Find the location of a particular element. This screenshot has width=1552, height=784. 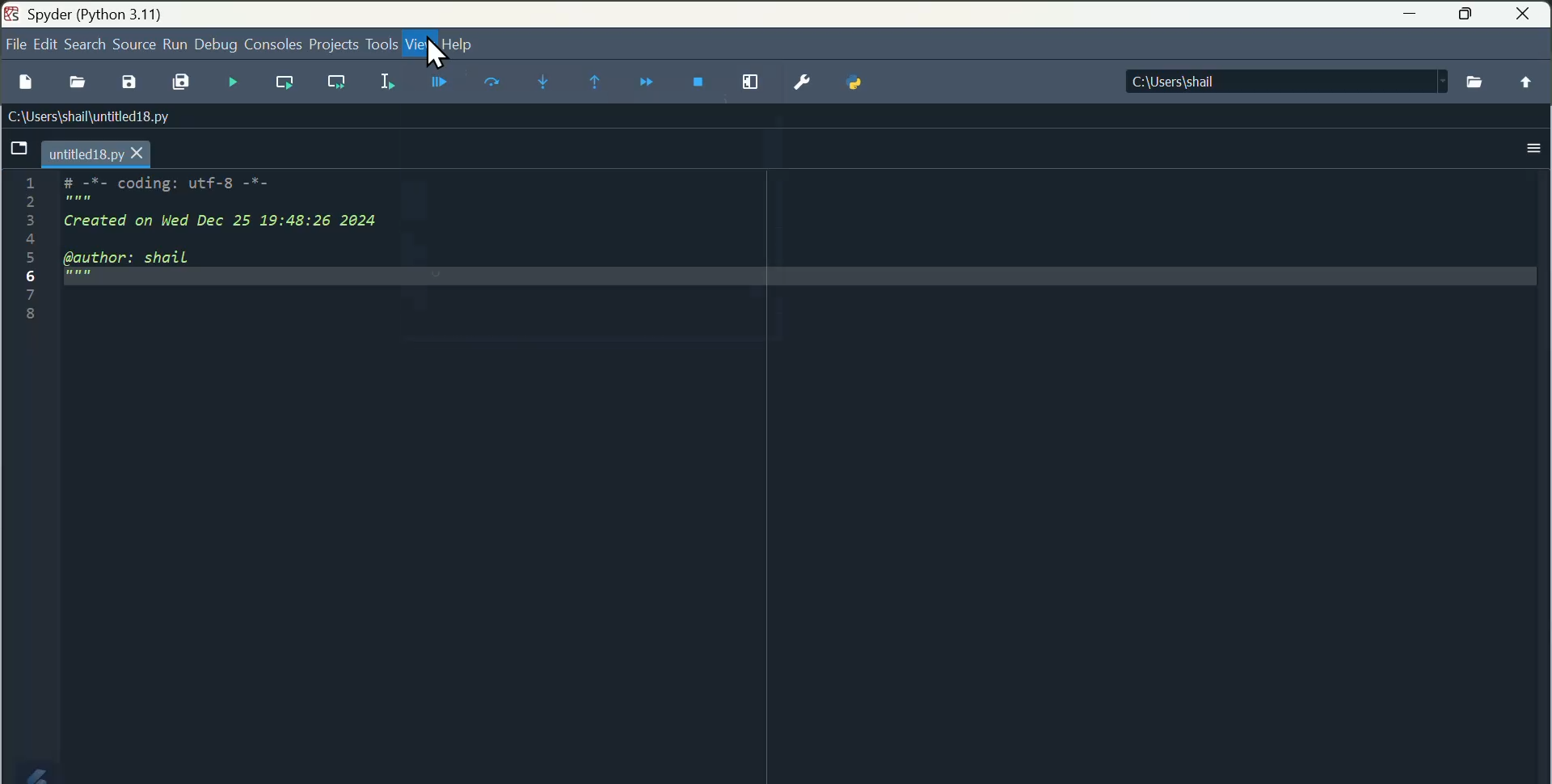

Run selection is located at coordinates (390, 82).